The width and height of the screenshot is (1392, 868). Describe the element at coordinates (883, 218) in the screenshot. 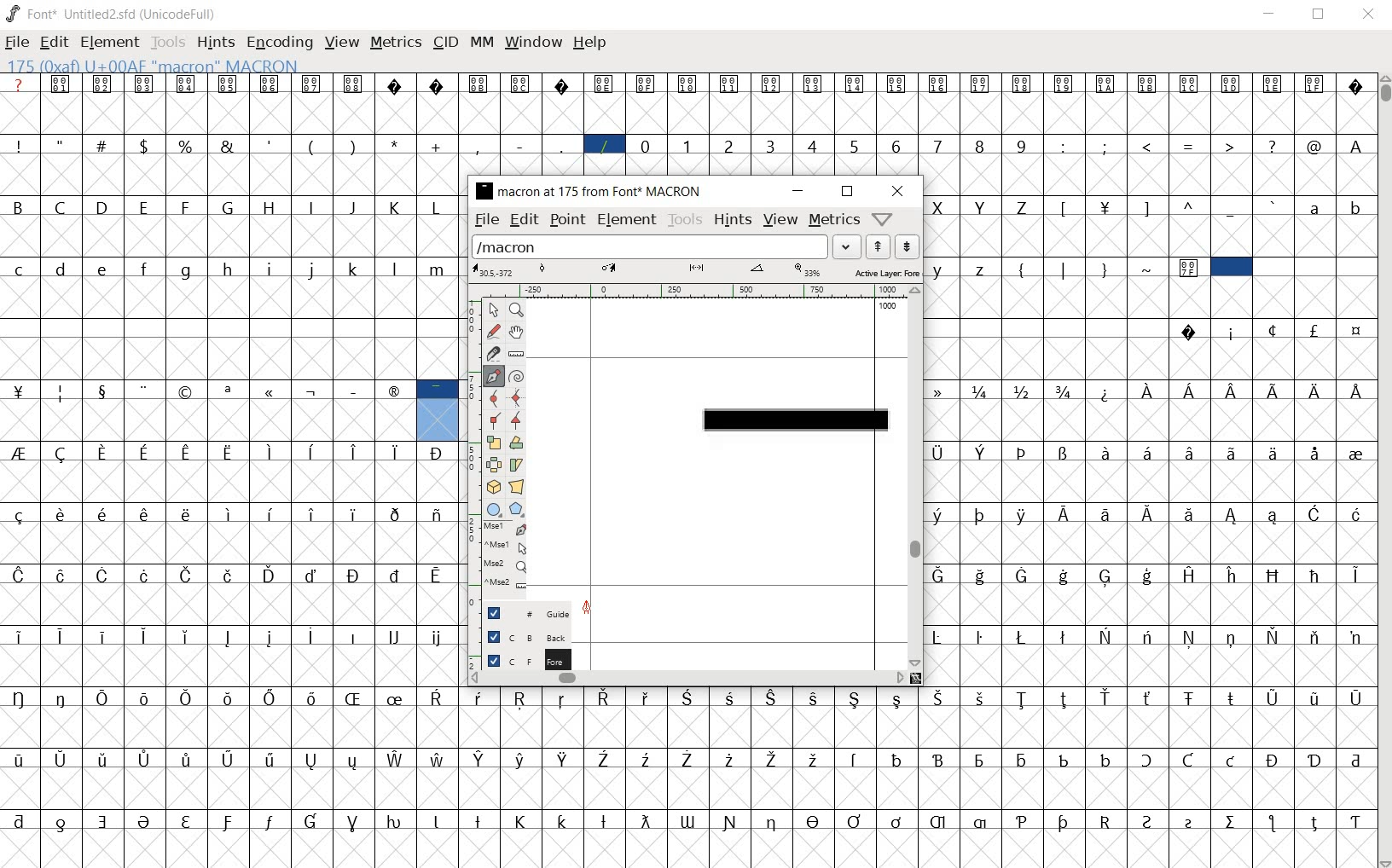

I see `help` at that location.